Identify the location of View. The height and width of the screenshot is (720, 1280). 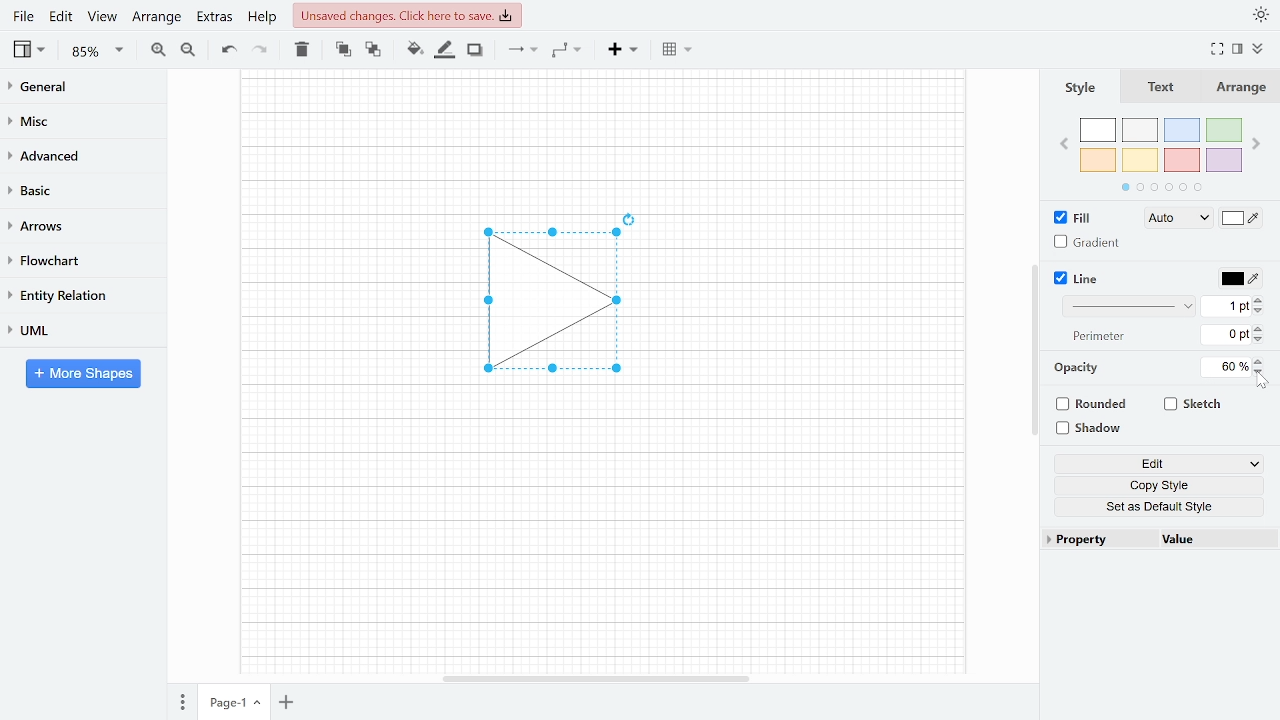
(102, 16).